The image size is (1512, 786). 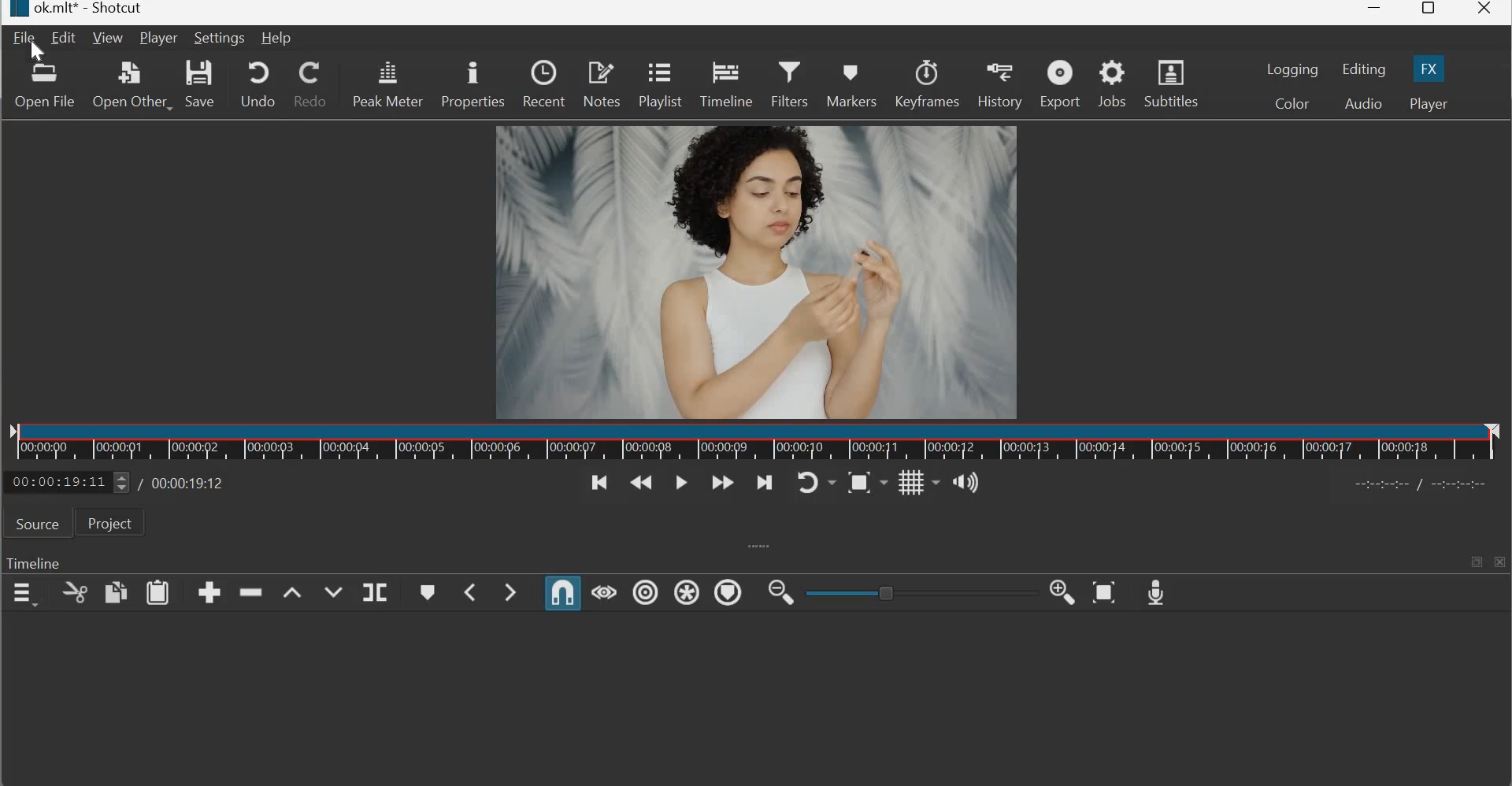 I want to click on Audio, so click(x=1362, y=102).